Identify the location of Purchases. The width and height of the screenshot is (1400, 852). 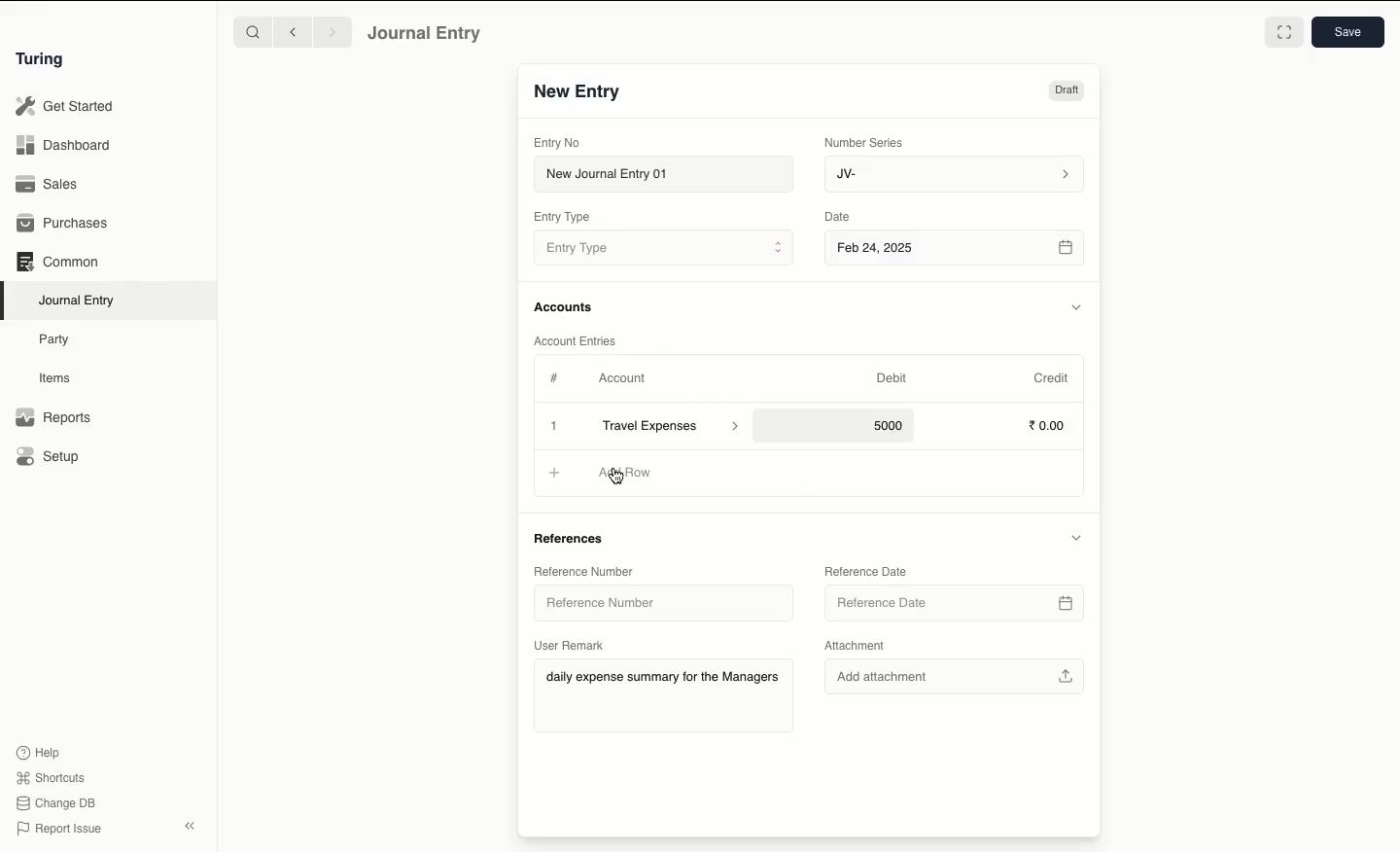
(63, 225).